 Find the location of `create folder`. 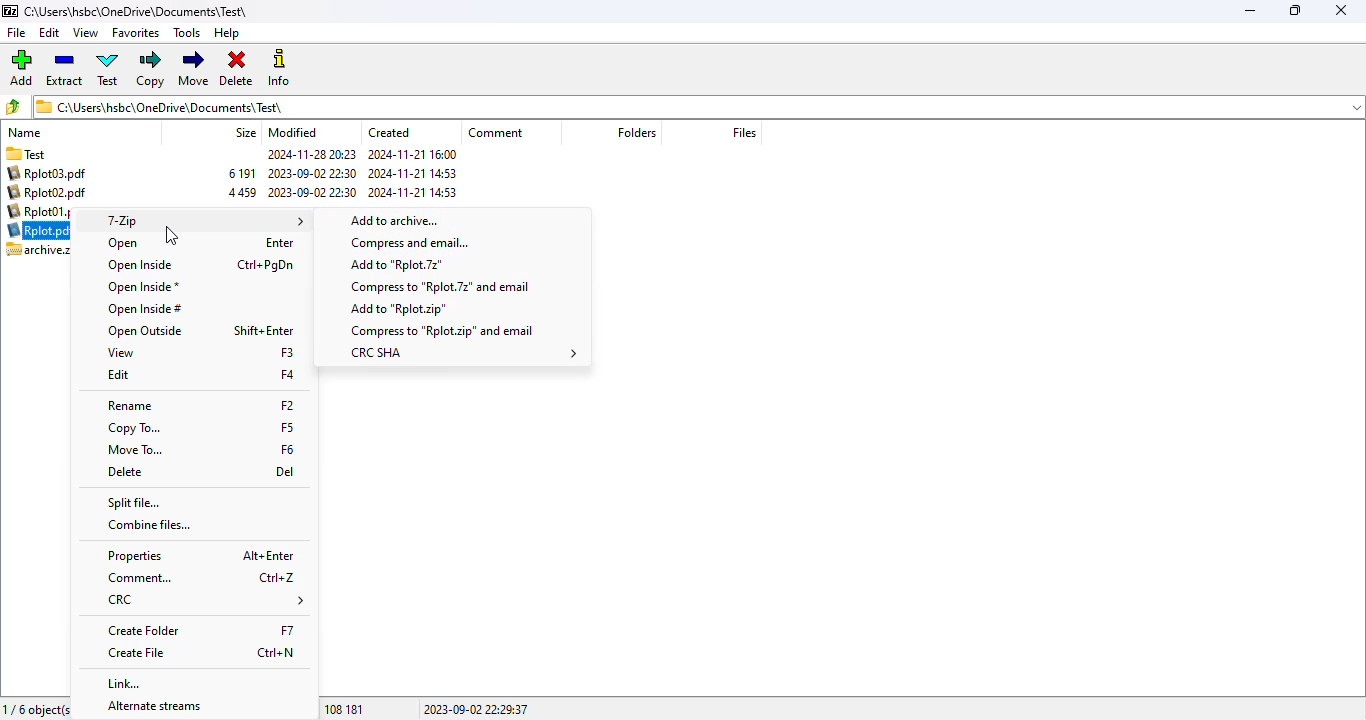

create folder is located at coordinates (144, 630).